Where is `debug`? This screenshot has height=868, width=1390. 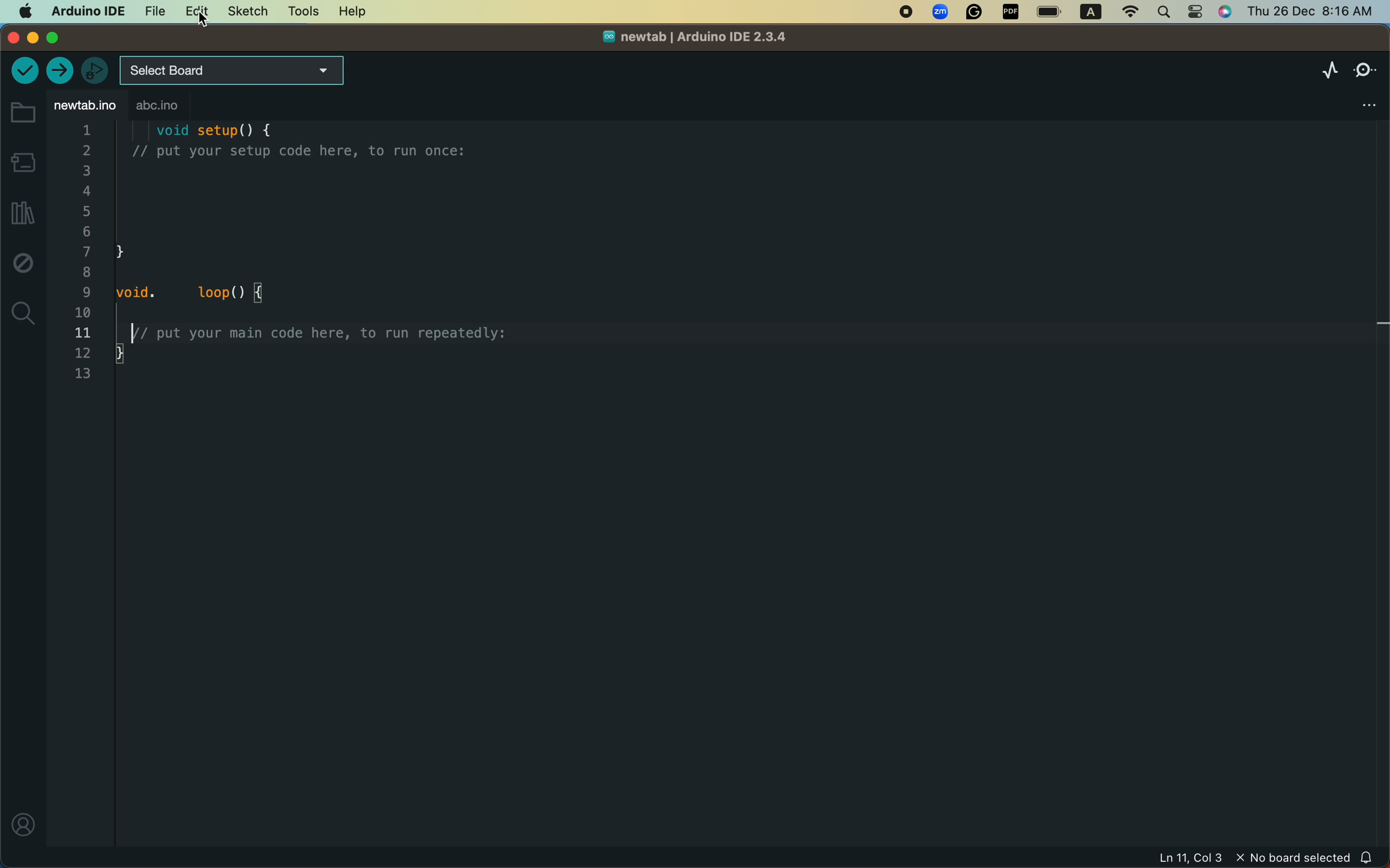
debug is located at coordinates (23, 266).